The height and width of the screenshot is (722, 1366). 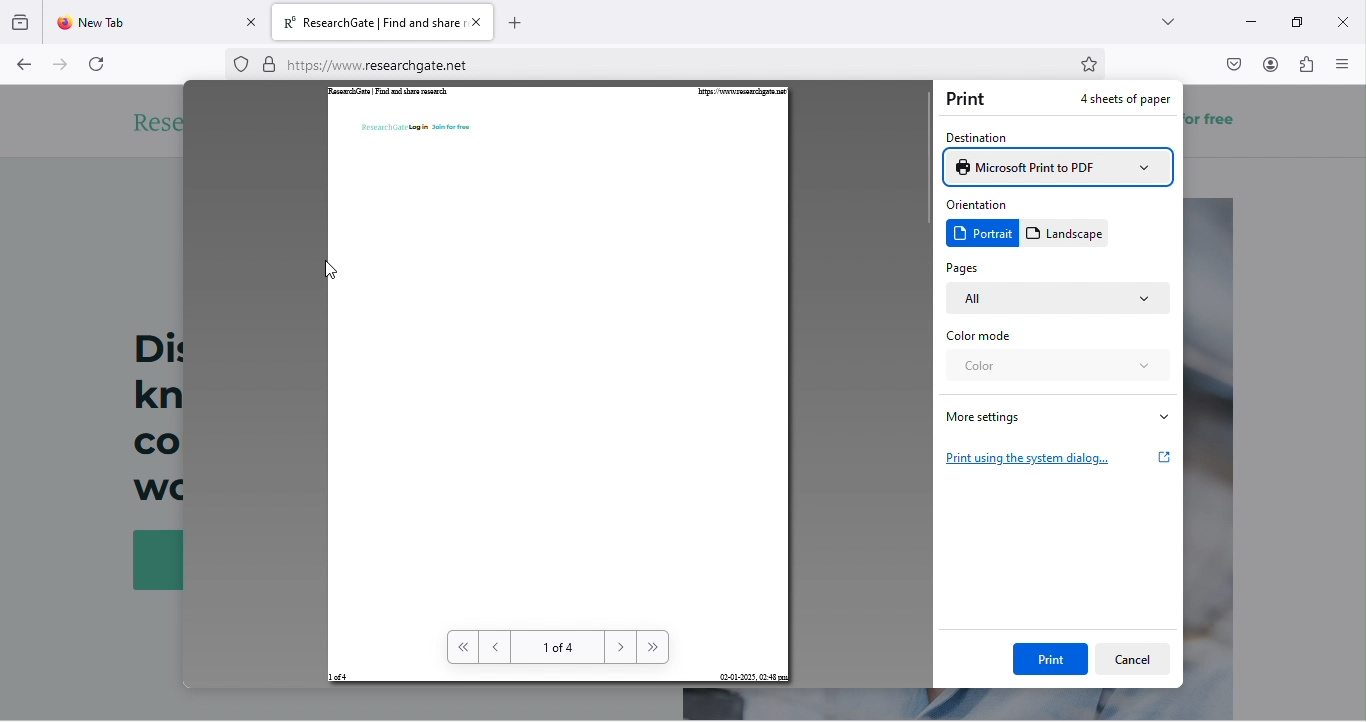 I want to click on orientation, so click(x=981, y=203).